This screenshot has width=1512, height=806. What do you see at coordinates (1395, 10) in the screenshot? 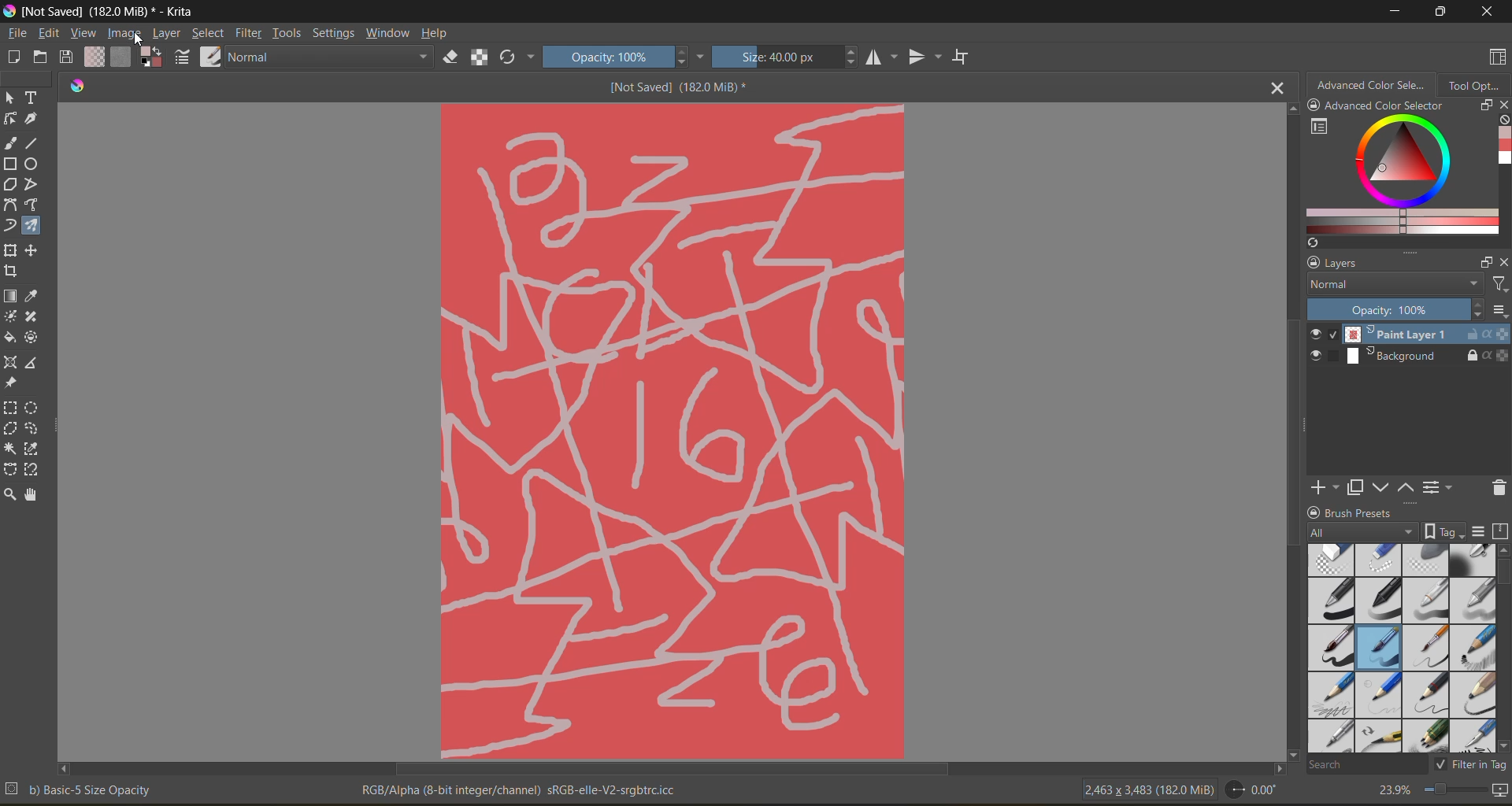
I see `minimize` at bounding box center [1395, 10].